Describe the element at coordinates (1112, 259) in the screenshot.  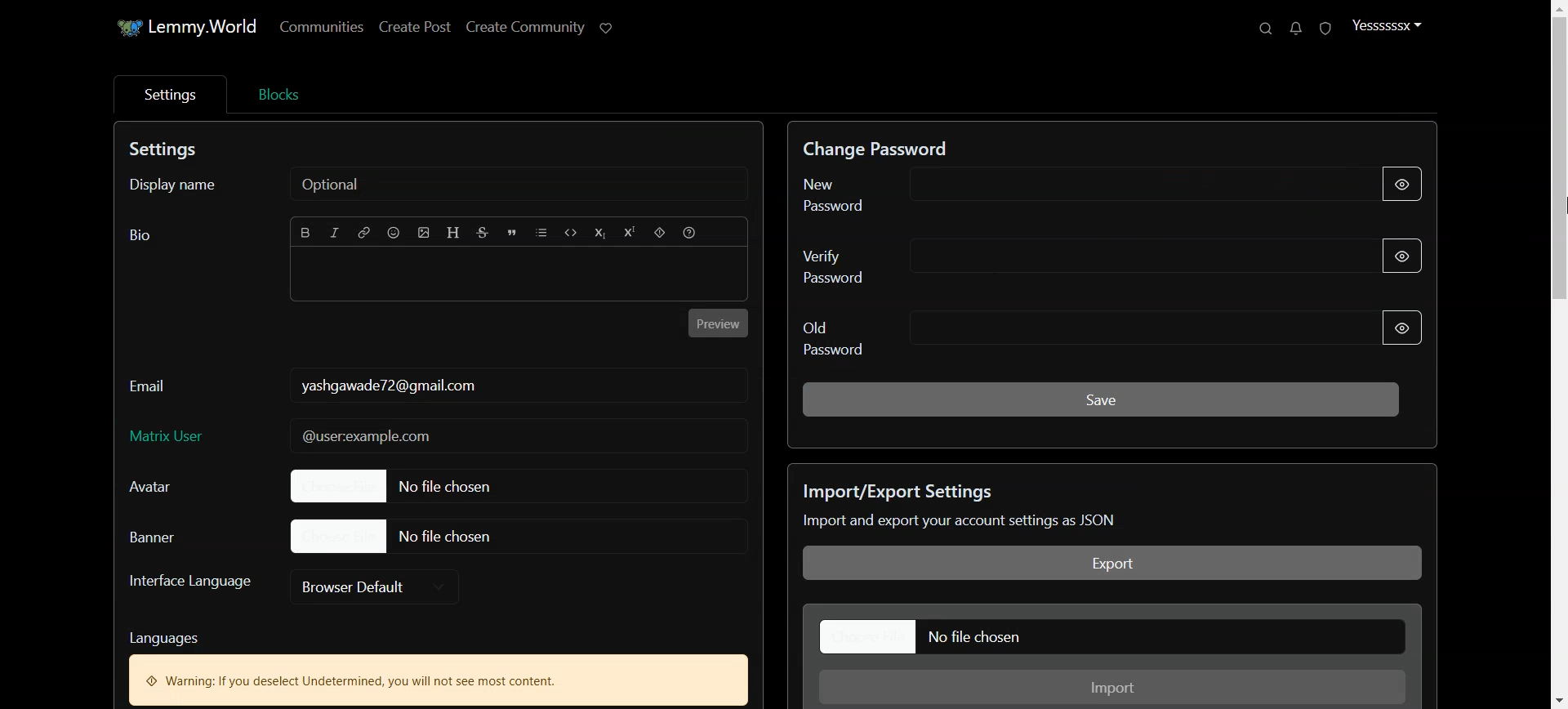
I see `Verify password` at that location.